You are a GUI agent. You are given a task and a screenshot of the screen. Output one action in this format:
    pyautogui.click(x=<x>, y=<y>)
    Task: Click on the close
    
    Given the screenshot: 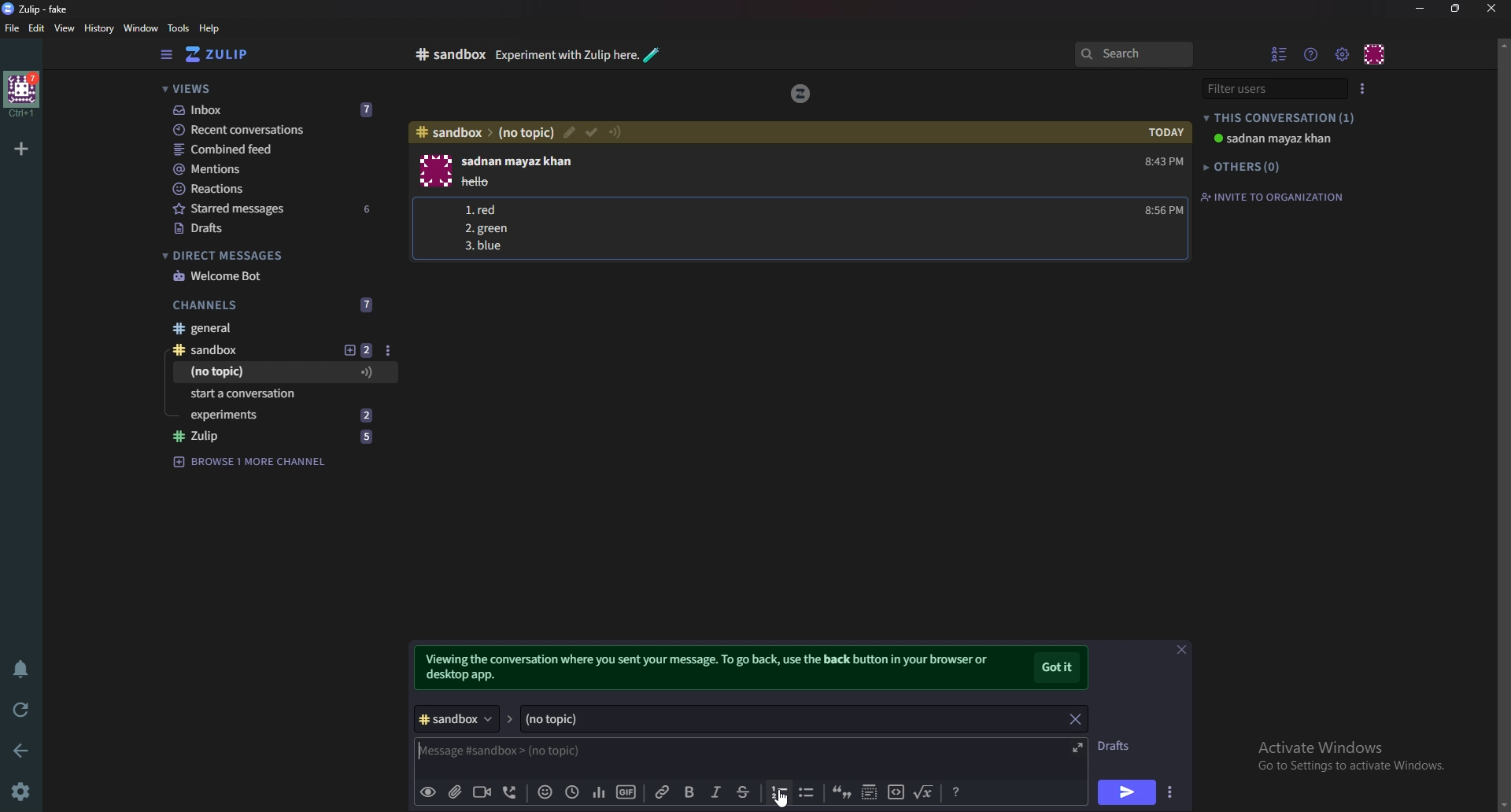 What is the action you would take?
    pyautogui.click(x=1491, y=8)
    